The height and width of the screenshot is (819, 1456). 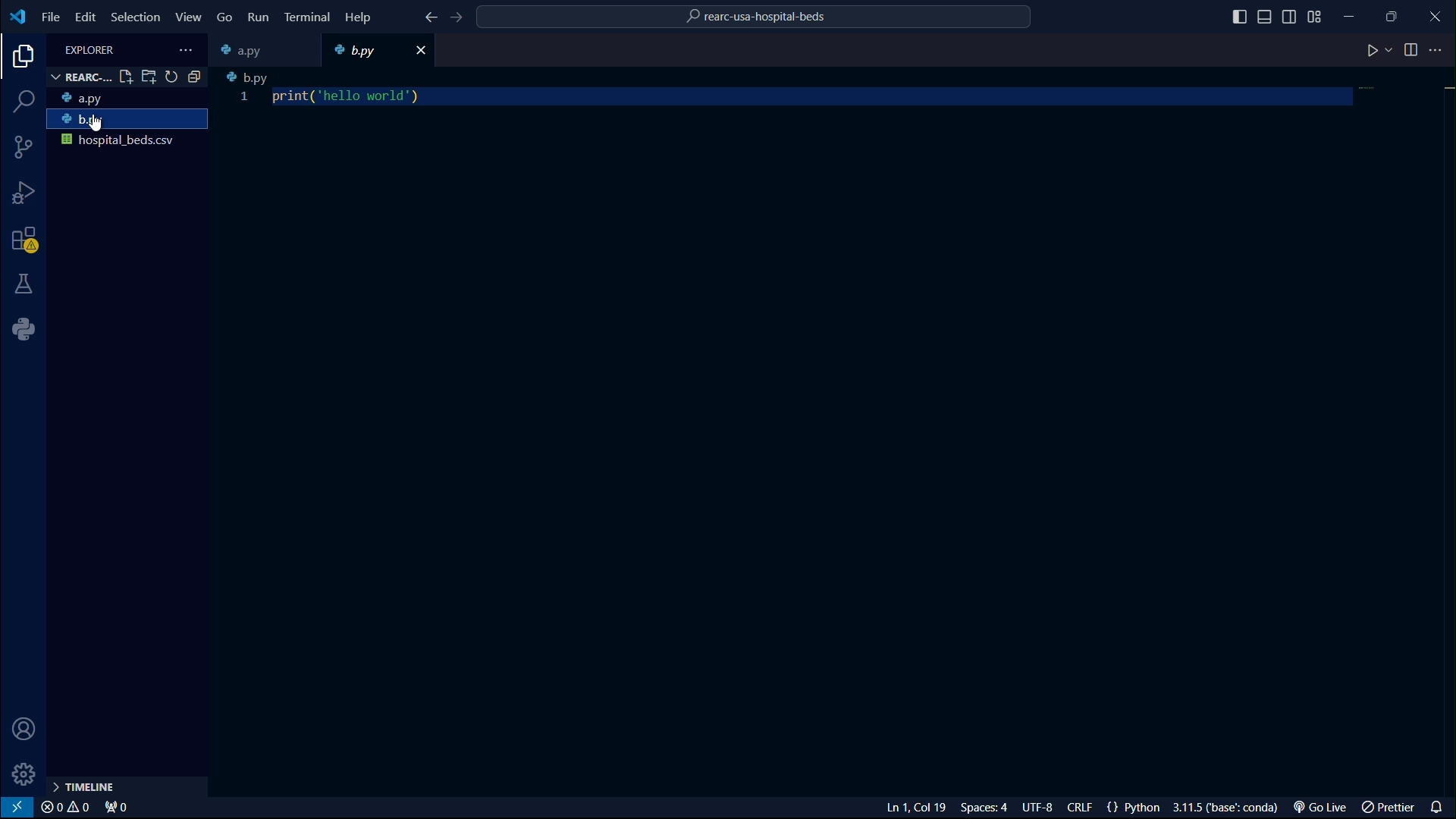 What do you see at coordinates (18, 18) in the screenshot?
I see `logo` at bounding box center [18, 18].